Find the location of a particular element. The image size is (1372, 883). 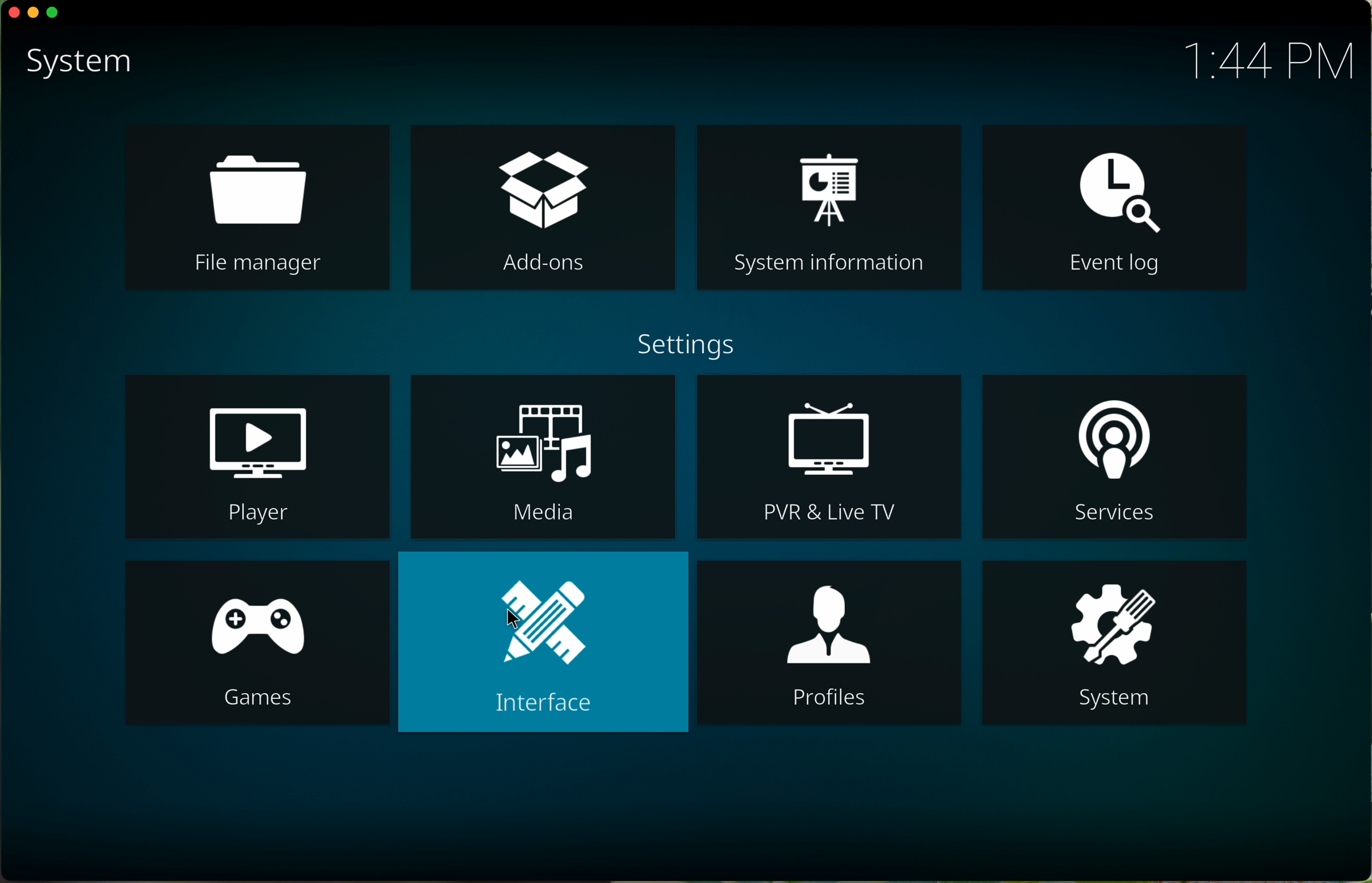

services is located at coordinates (1114, 456).